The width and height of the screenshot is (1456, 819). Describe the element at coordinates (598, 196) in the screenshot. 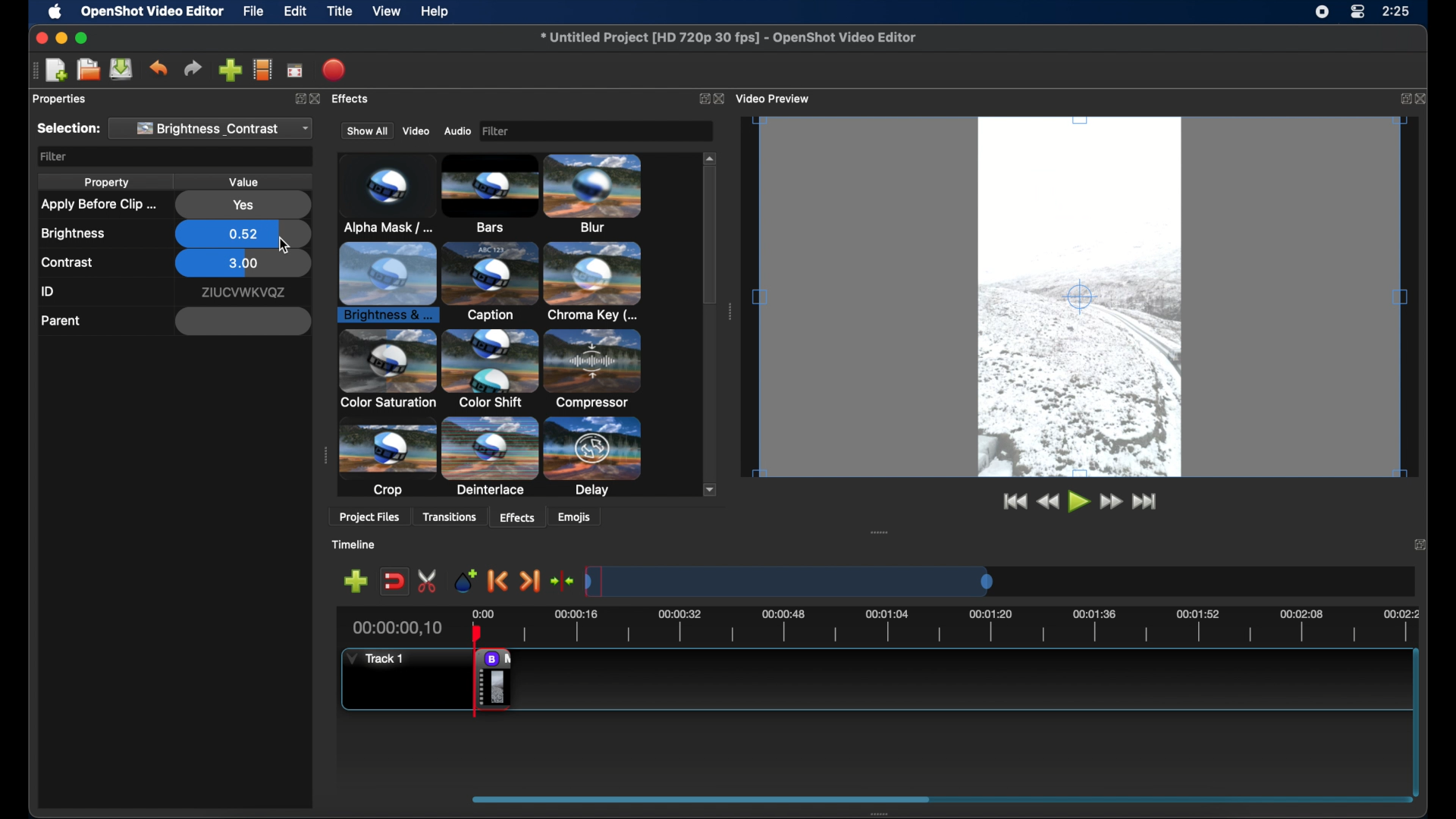

I see `brightness and contrast highlighted` at that location.